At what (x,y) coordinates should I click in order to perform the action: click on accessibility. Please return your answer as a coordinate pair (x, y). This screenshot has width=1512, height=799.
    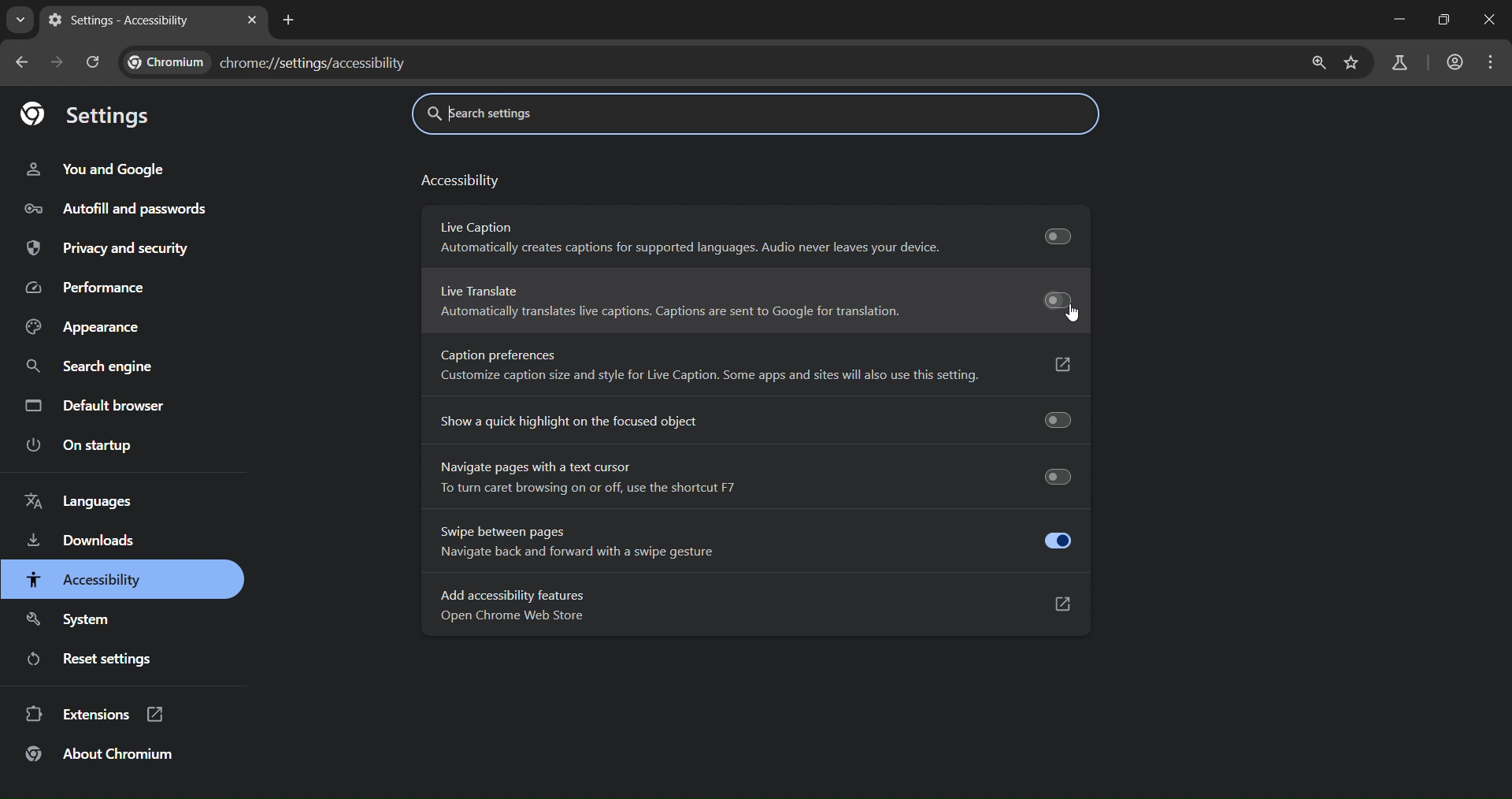
    Looking at the image, I should click on (88, 578).